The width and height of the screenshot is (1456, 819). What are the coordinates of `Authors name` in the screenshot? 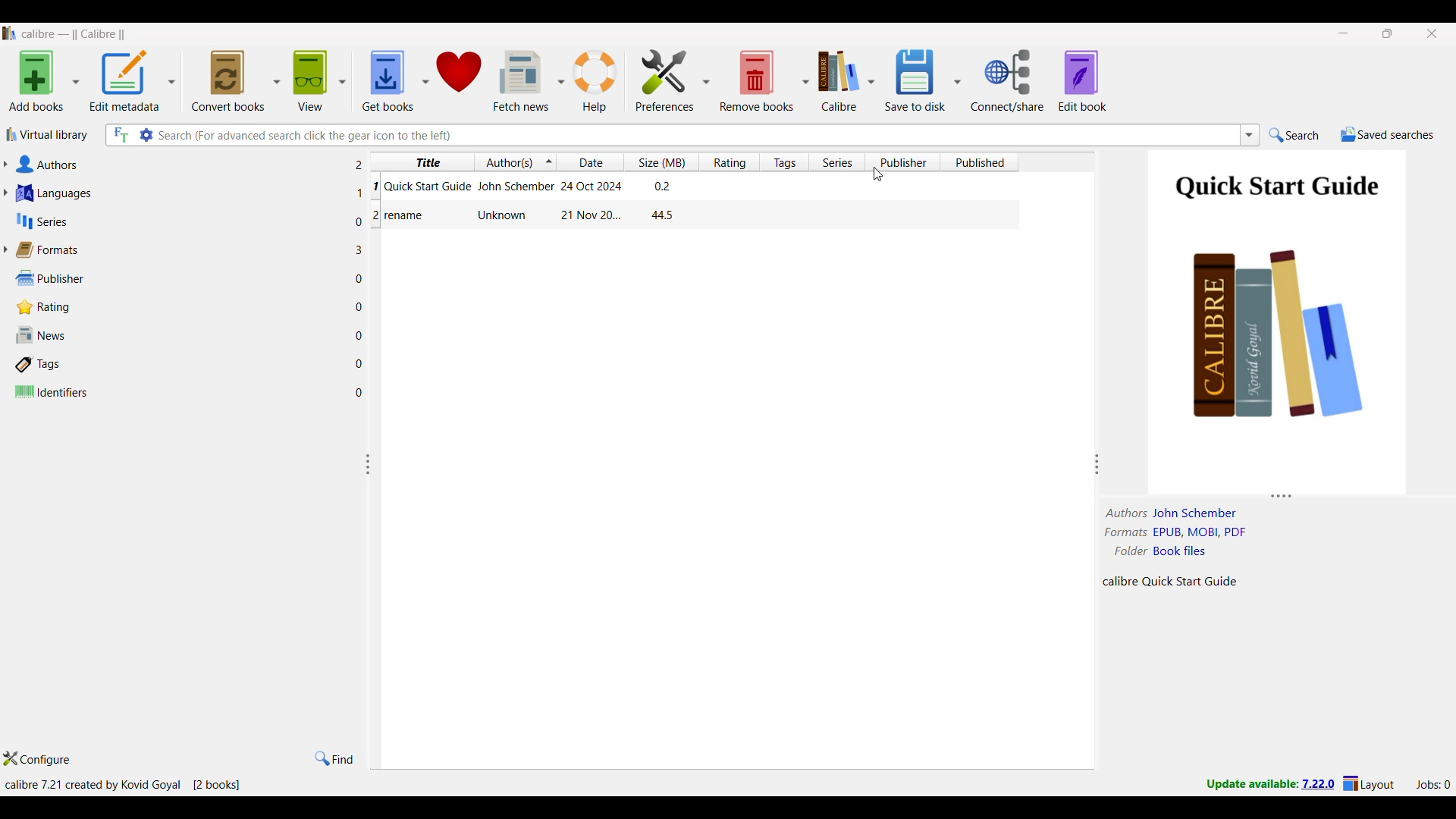 It's located at (1178, 513).